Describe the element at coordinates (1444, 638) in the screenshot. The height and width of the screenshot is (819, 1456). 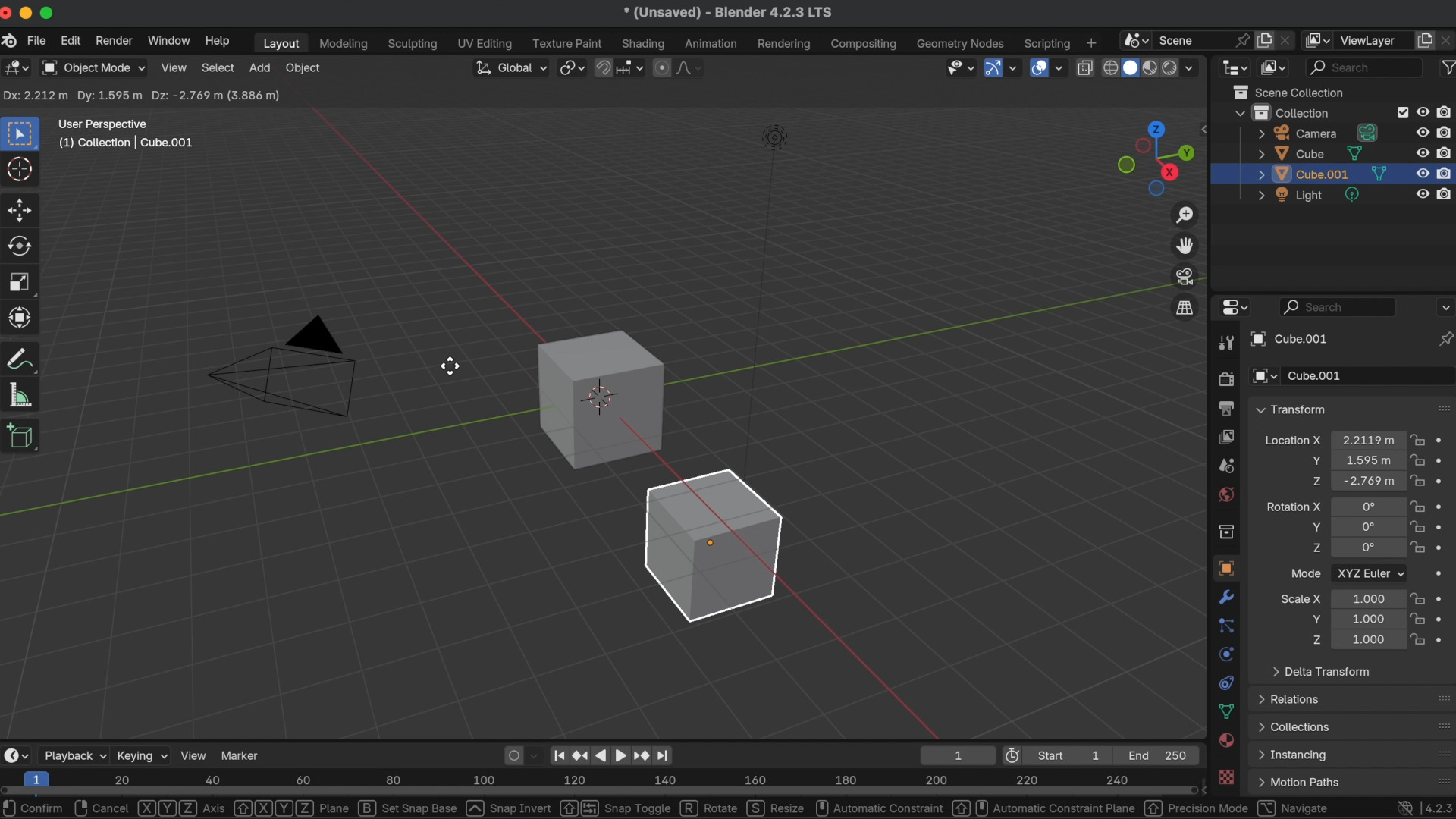
I see `animate property` at that location.